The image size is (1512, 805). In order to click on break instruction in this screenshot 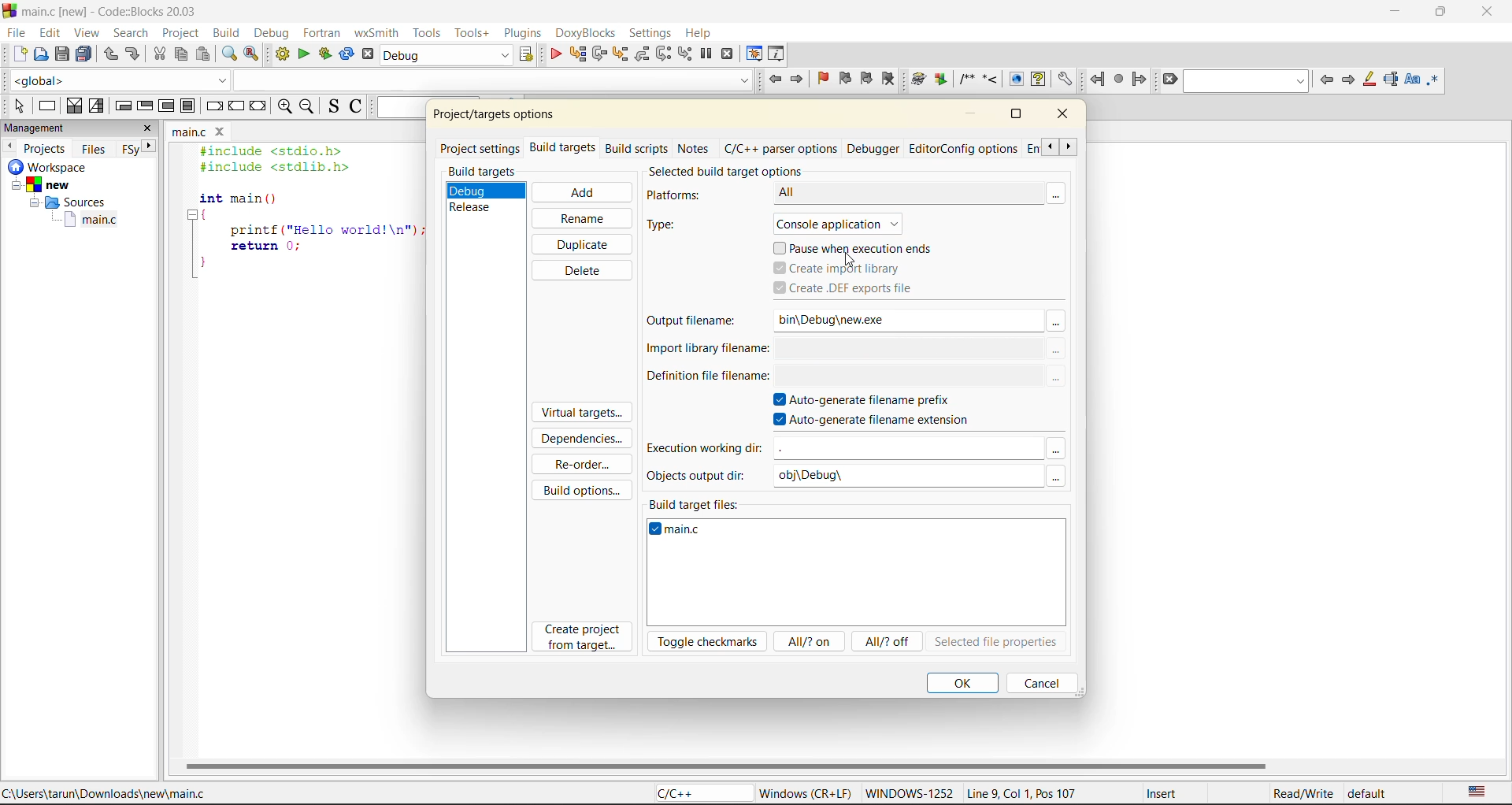, I will do `click(216, 108)`.